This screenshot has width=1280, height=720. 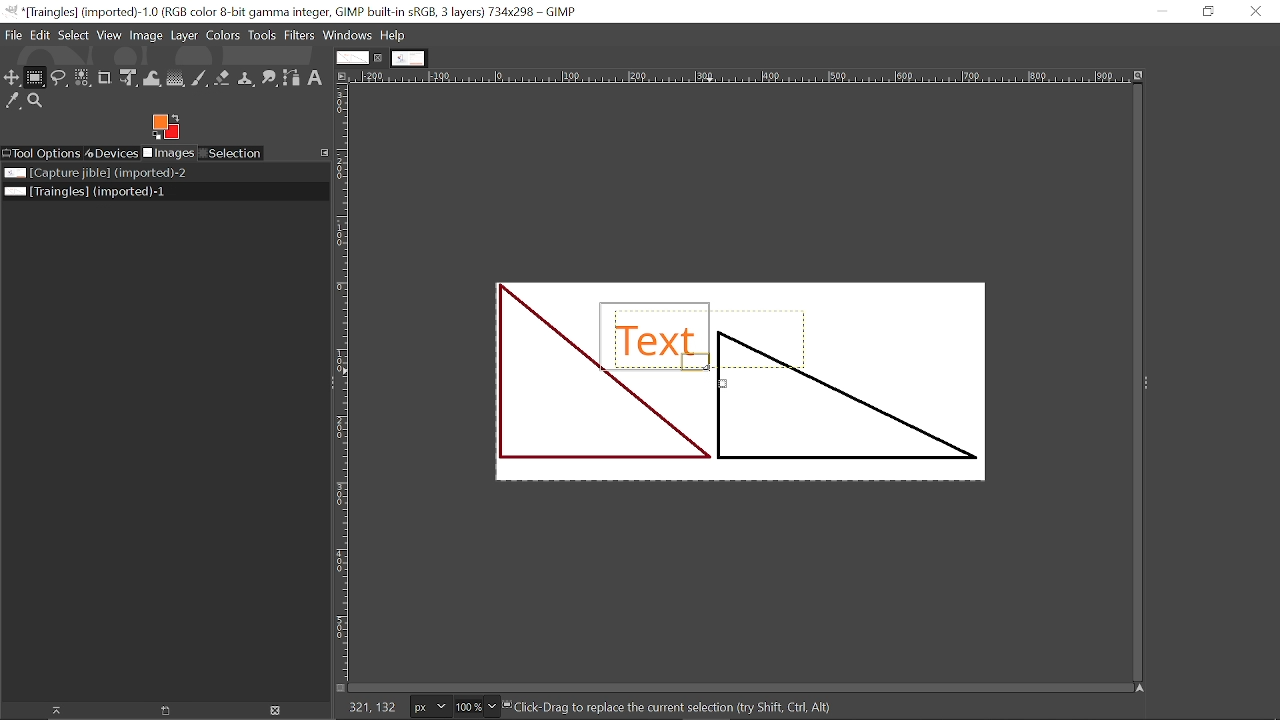 I want to click on Smudge tool, so click(x=270, y=80).